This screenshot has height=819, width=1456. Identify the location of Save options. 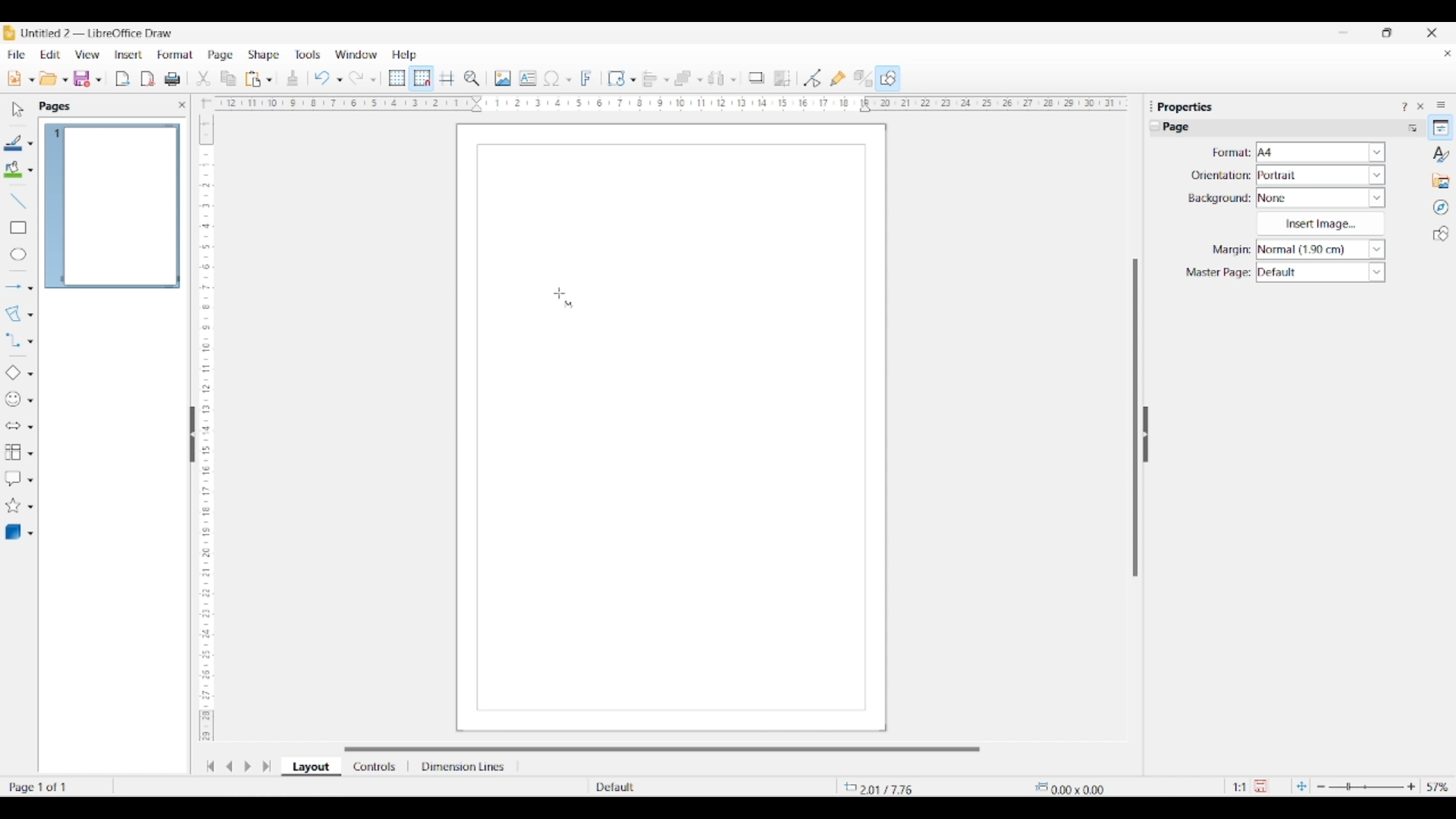
(99, 80).